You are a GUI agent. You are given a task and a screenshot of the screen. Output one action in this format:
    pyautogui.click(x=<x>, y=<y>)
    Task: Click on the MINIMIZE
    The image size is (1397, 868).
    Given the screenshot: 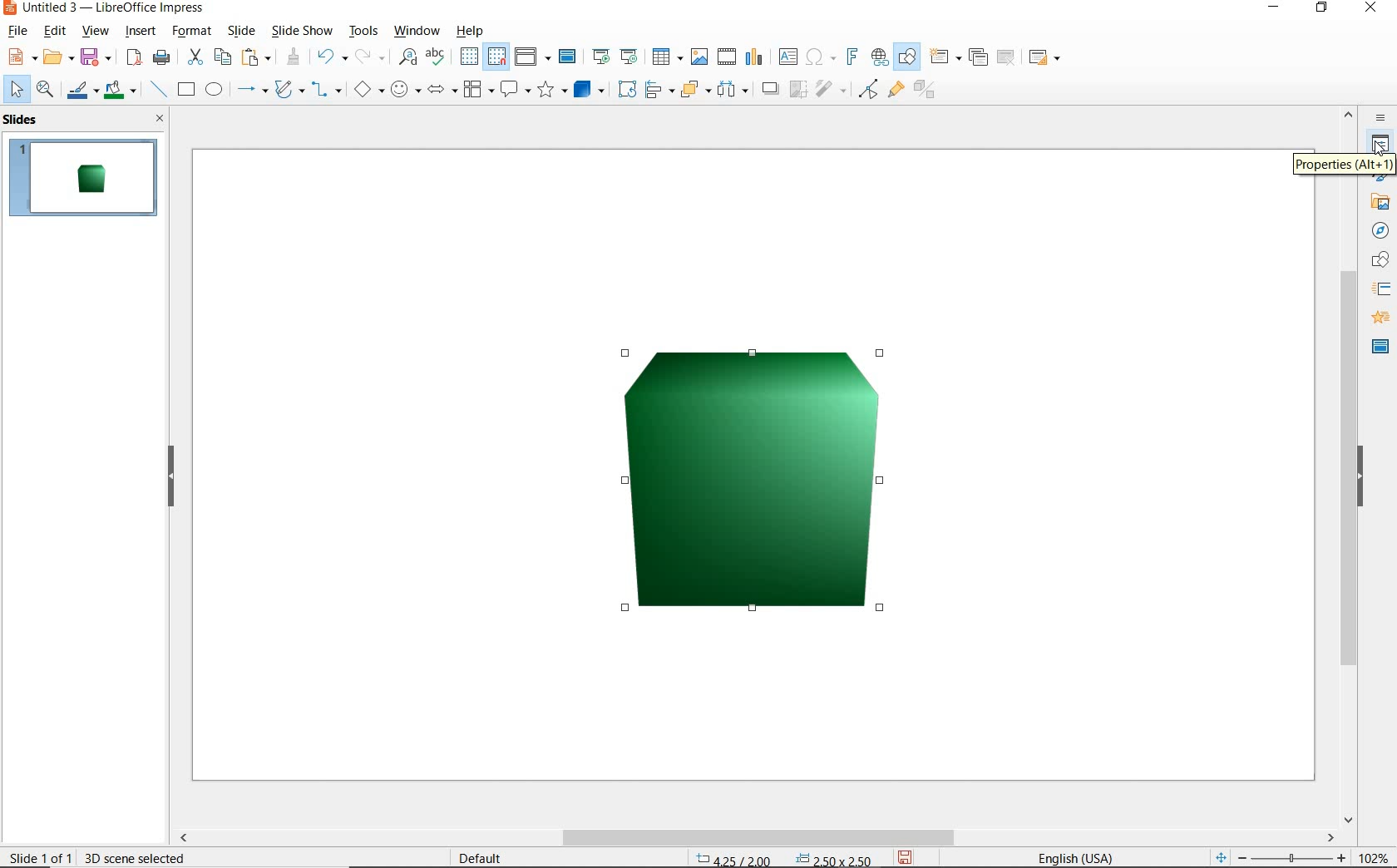 What is the action you would take?
    pyautogui.click(x=1277, y=7)
    